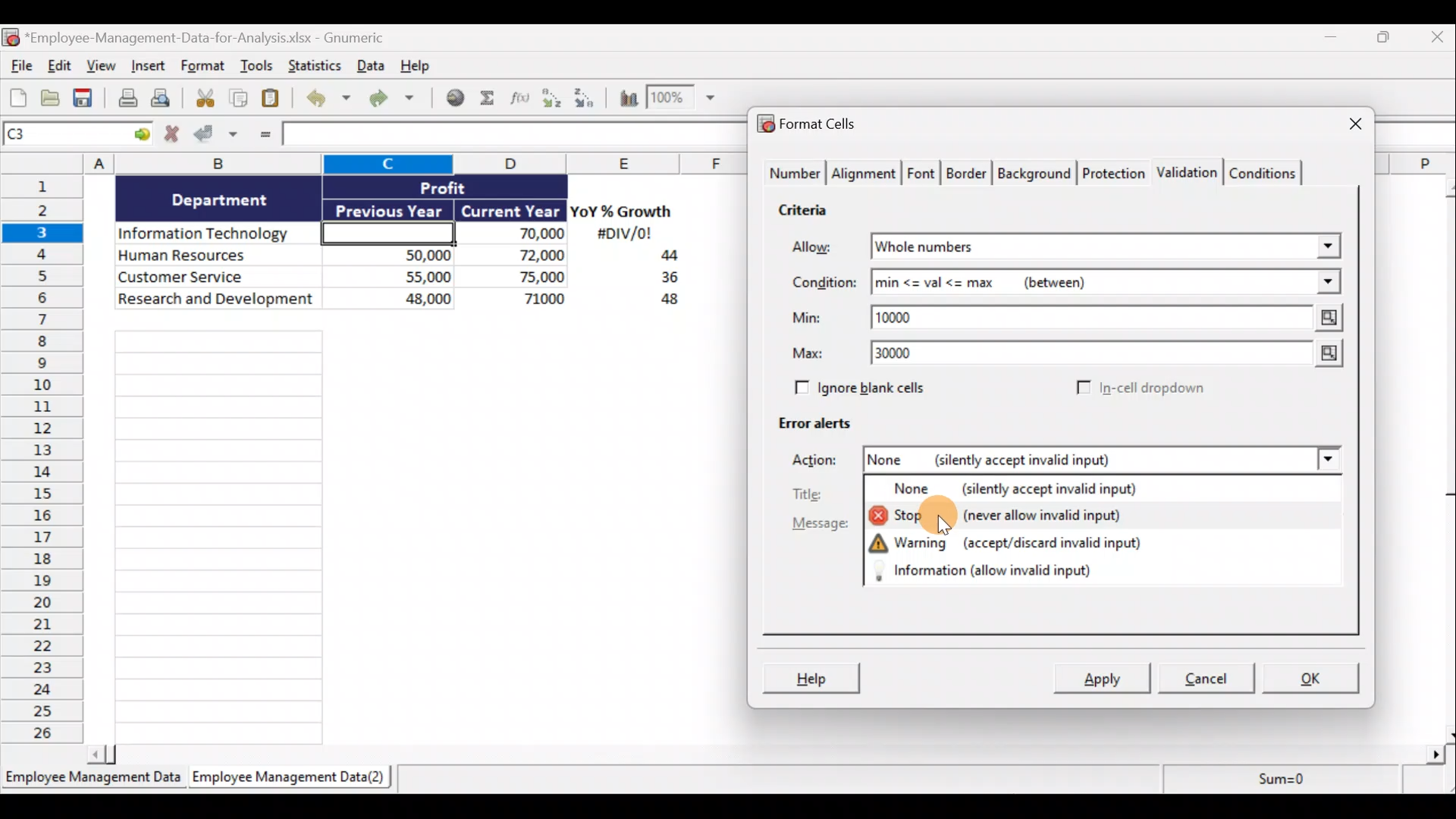  What do you see at coordinates (807, 320) in the screenshot?
I see `Min:` at bounding box center [807, 320].